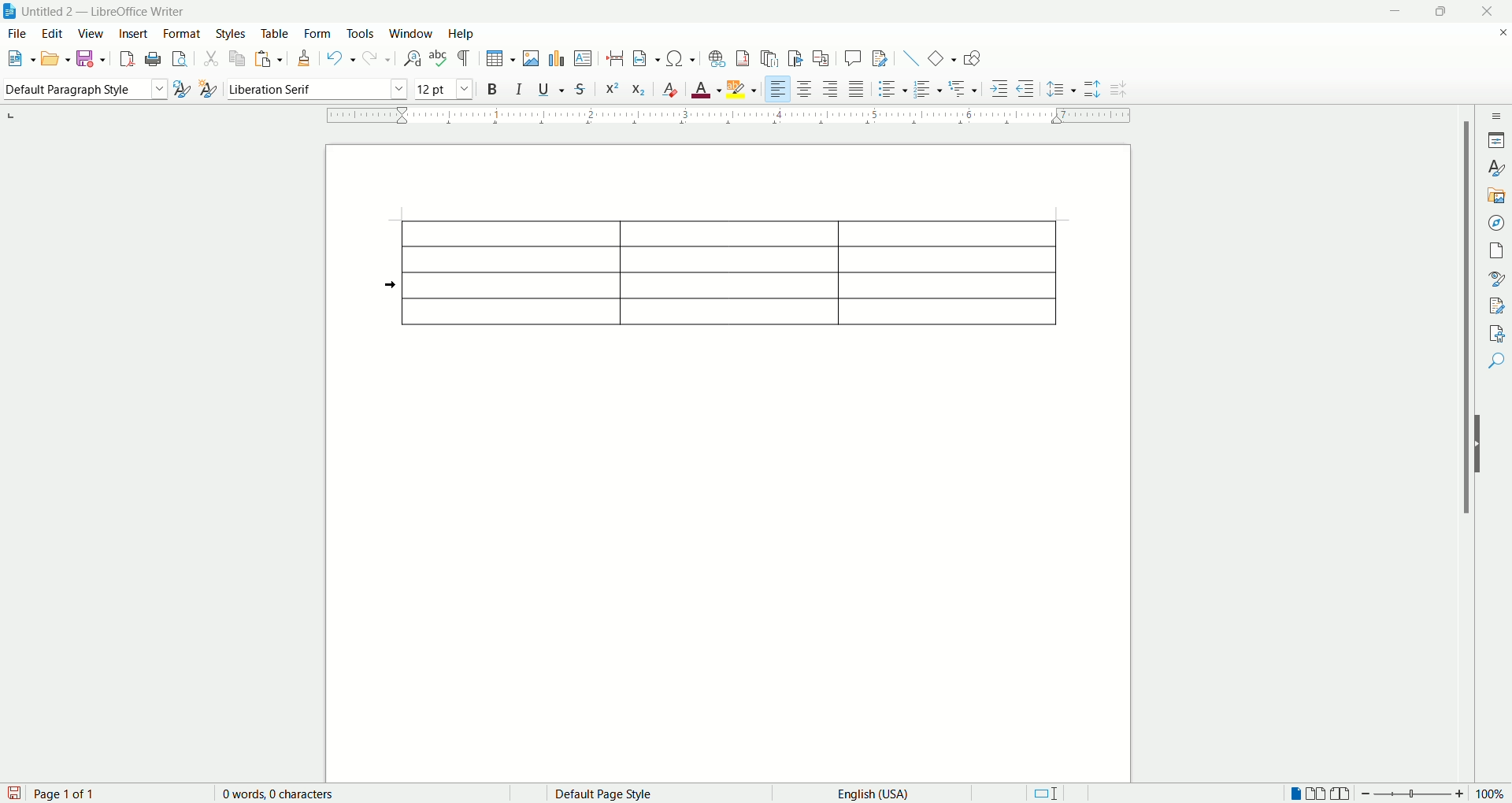  I want to click on font size, so click(446, 87).